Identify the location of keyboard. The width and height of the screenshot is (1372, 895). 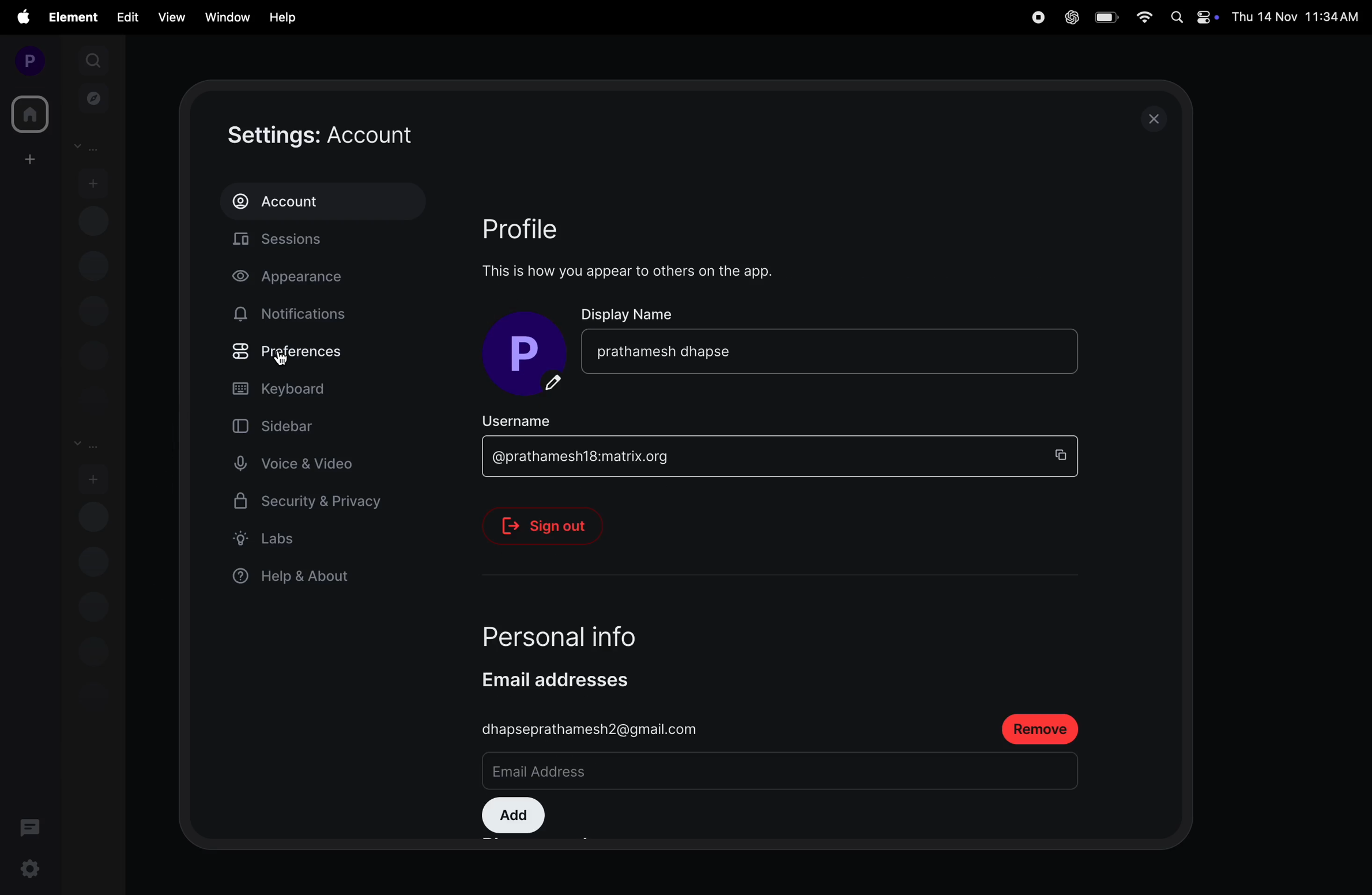
(307, 391).